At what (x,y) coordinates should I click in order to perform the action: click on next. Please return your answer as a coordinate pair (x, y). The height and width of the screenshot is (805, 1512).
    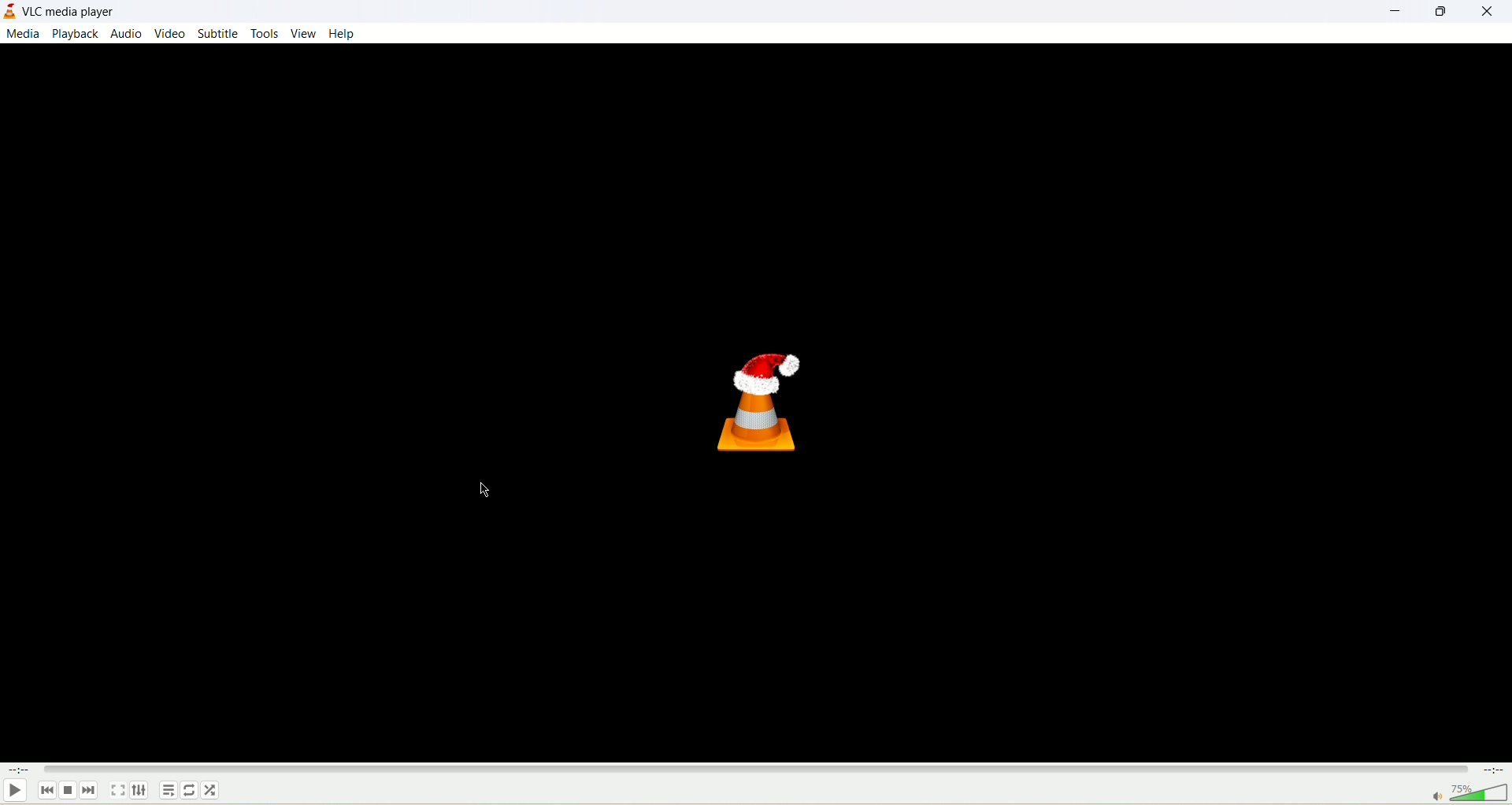
    Looking at the image, I should click on (91, 790).